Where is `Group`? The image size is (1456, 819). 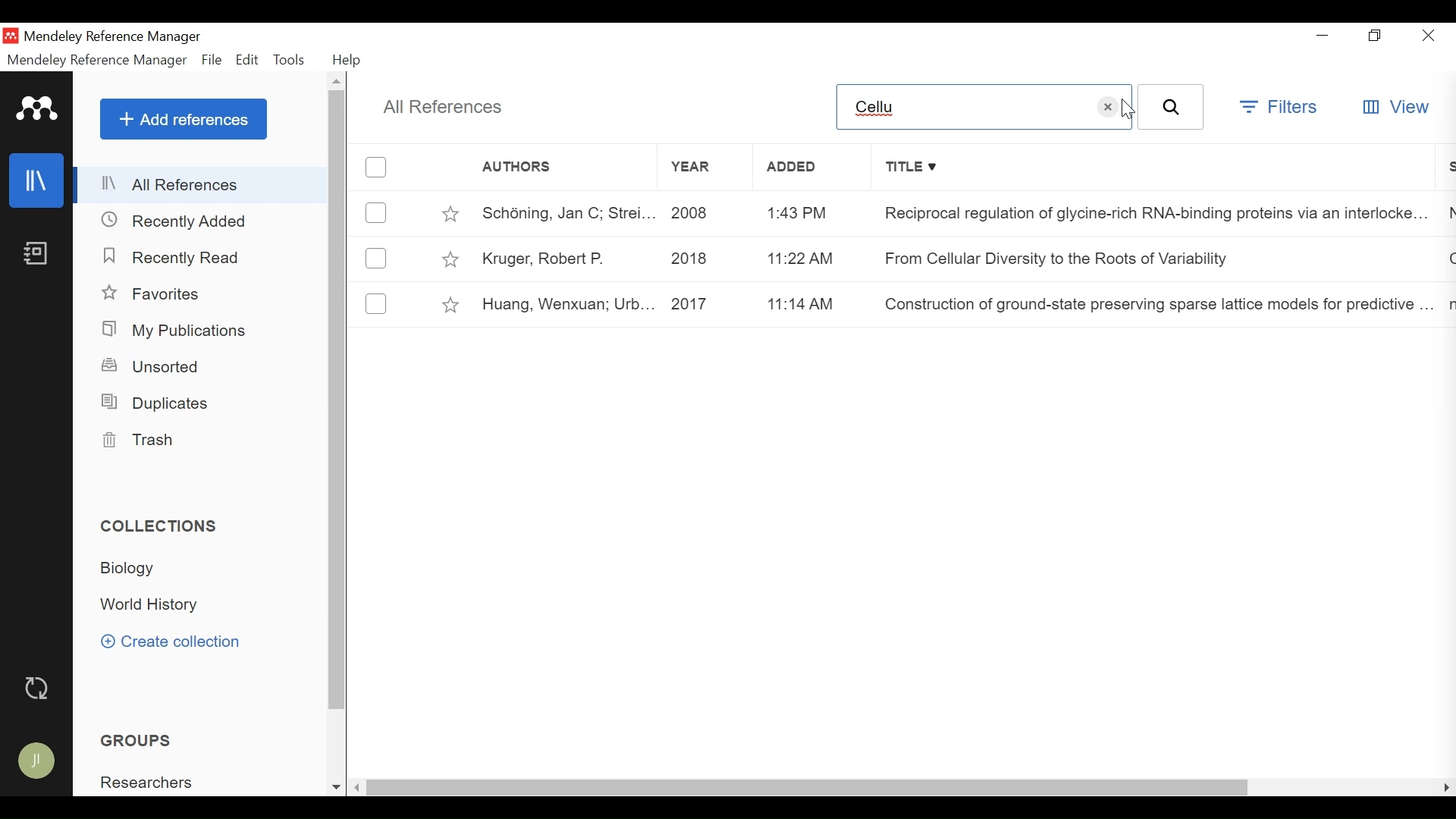 Group is located at coordinates (145, 781).